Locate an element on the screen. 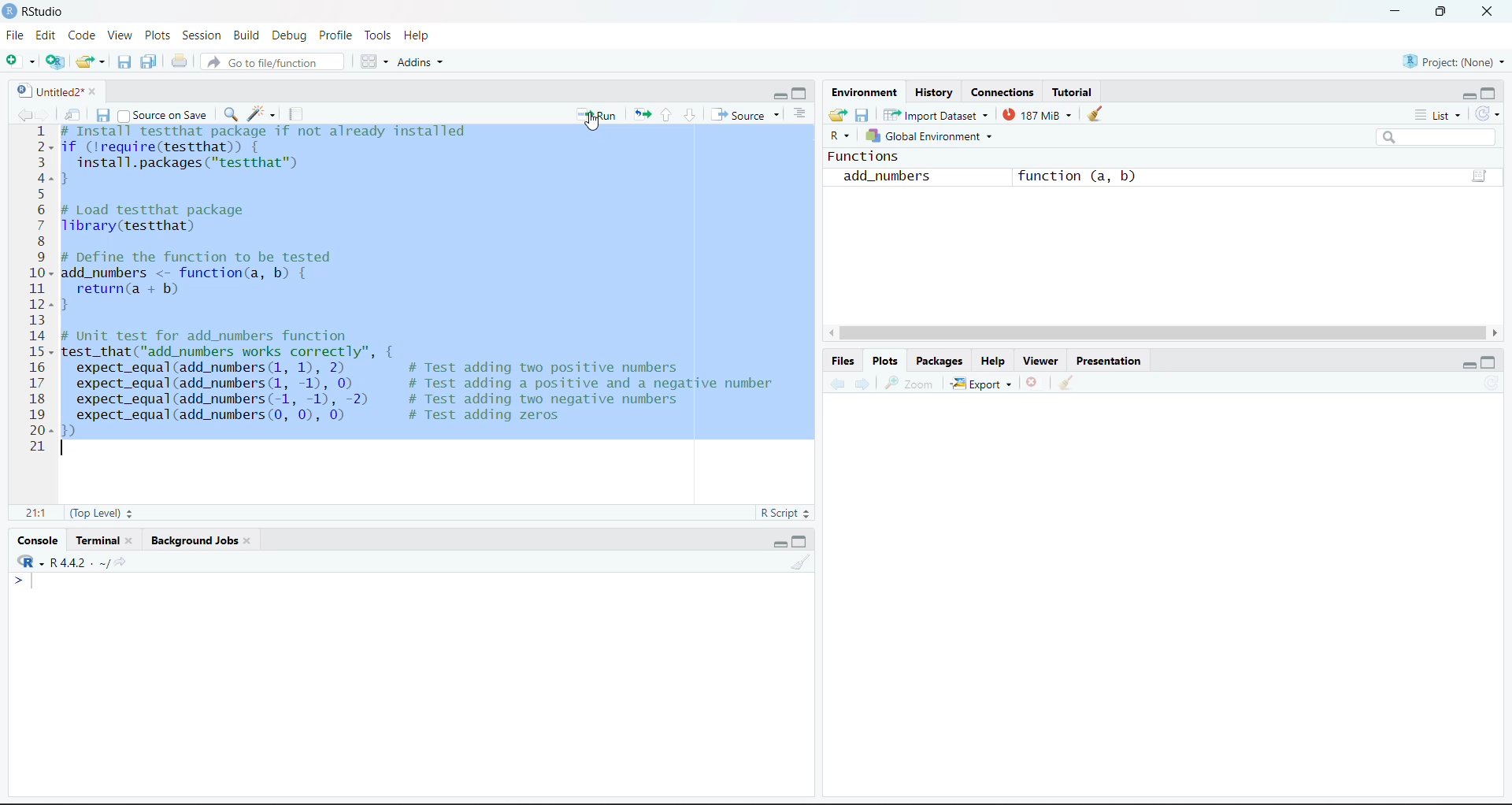 The height and width of the screenshot is (805, 1512). clear is located at coordinates (1095, 114).